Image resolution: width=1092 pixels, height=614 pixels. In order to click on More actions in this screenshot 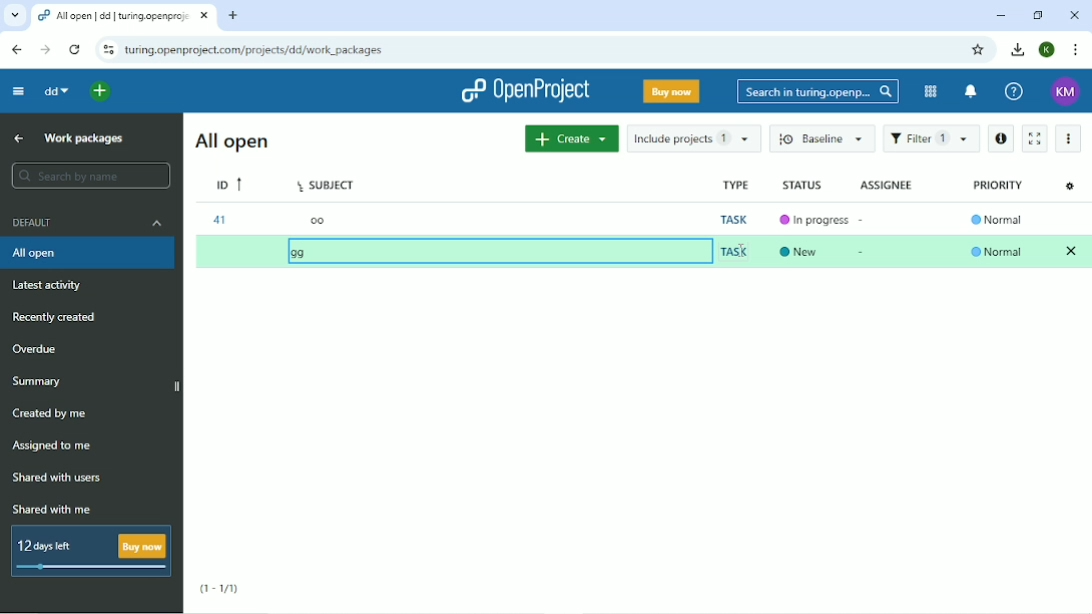, I will do `click(1070, 137)`.